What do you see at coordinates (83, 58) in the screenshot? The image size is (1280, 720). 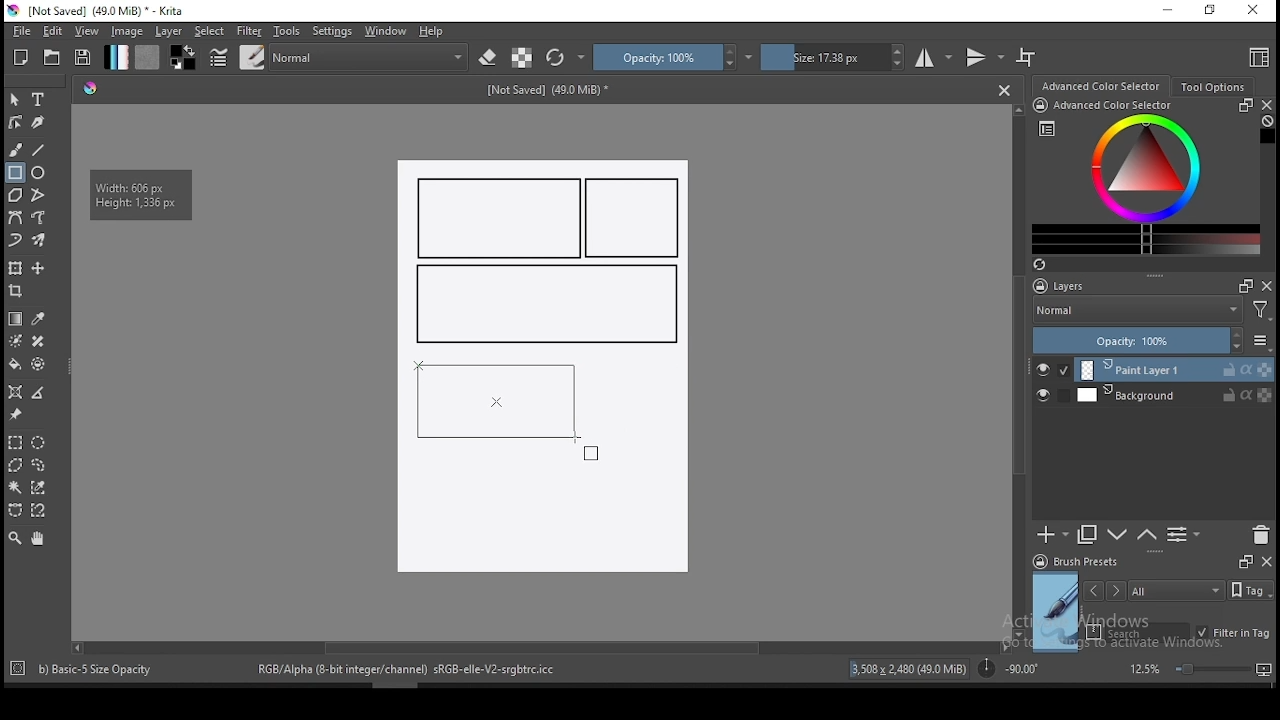 I see `save` at bounding box center [83, 58].